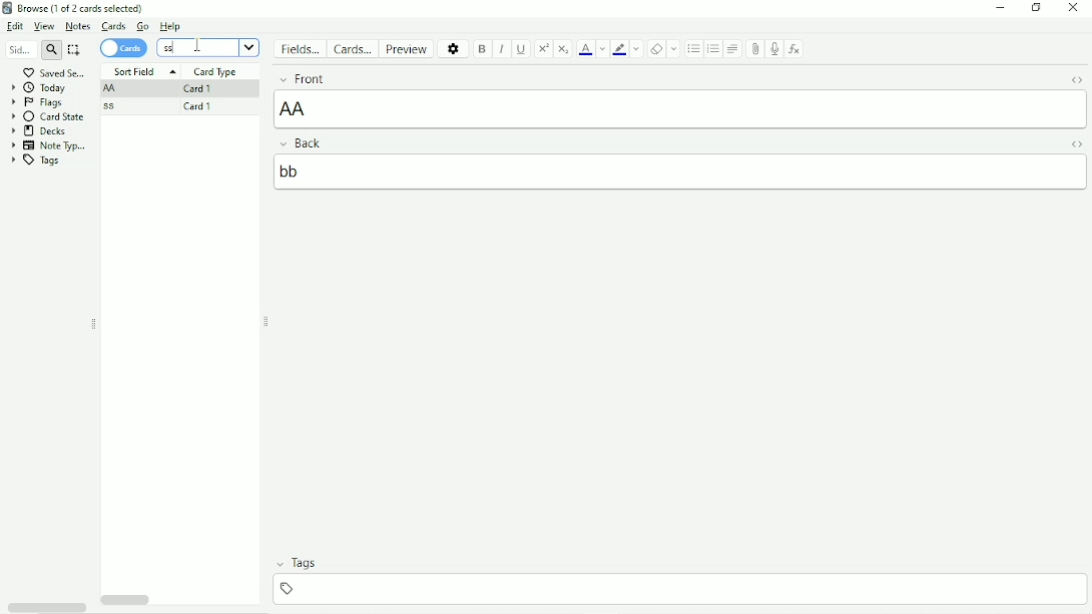 The width and height of the screenshot is (1092, 614). Describe the element at coordinates (171, 27) in the screenshot. I see `Help` at that location.